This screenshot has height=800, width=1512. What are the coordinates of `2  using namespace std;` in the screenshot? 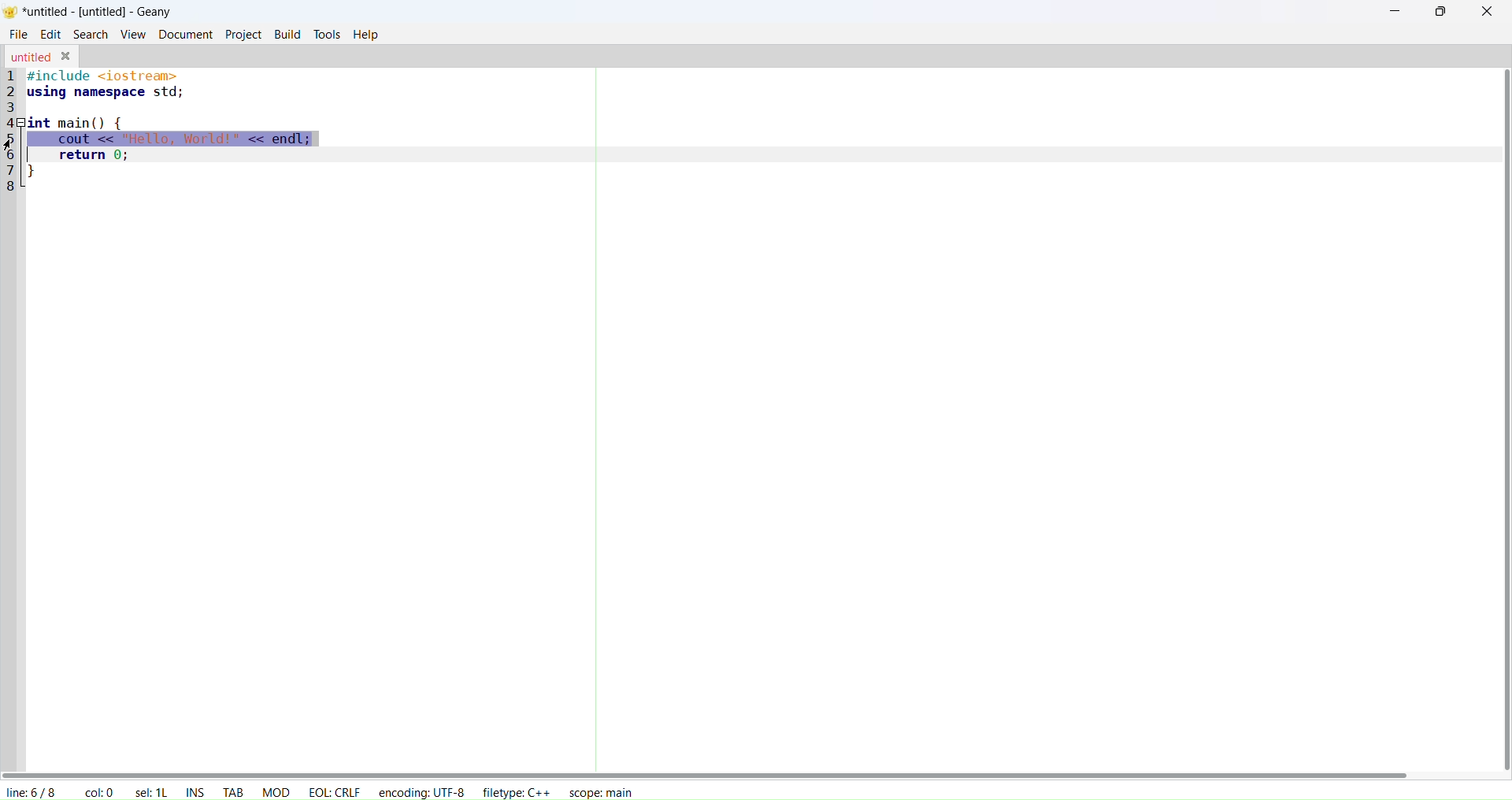 It's located at (101, 93).